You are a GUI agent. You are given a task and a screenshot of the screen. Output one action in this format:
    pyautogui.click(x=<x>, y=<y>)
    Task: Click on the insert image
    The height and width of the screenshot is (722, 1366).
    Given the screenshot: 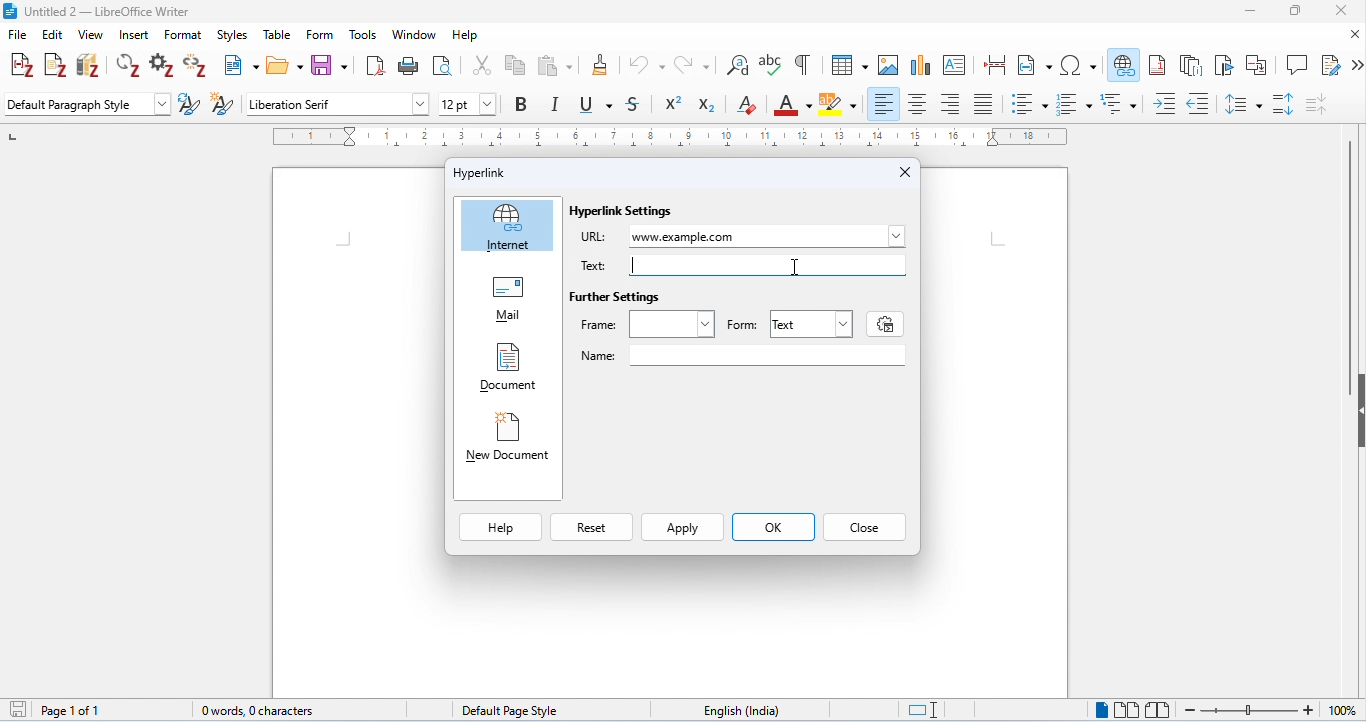 What is the action you would take?
    pyautogui.click(x=890, y=64)
    